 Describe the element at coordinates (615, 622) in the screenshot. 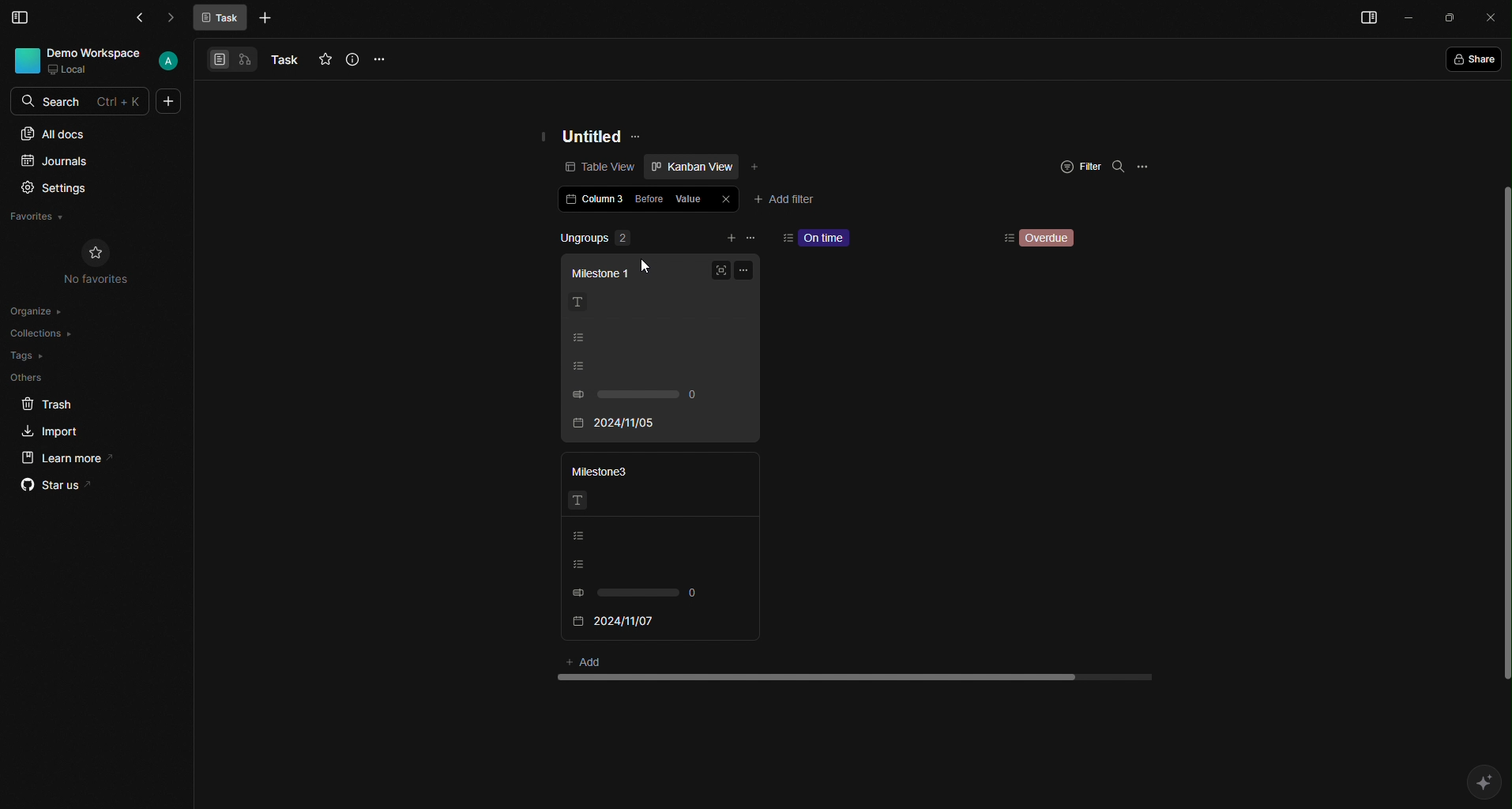

I see `2024/11/07` at that location.